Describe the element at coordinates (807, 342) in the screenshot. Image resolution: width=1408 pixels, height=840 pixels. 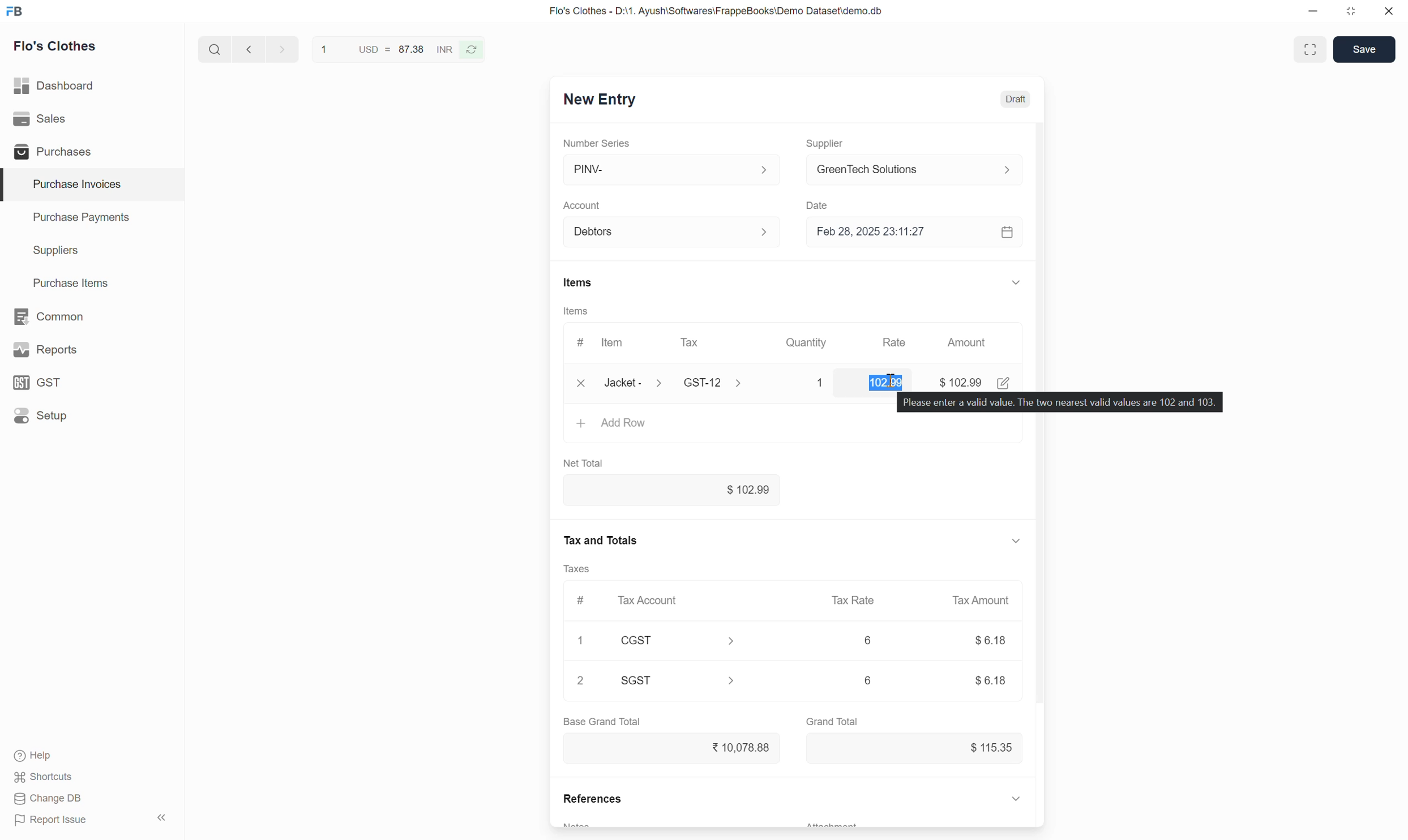
I see `Quantity` at that location.